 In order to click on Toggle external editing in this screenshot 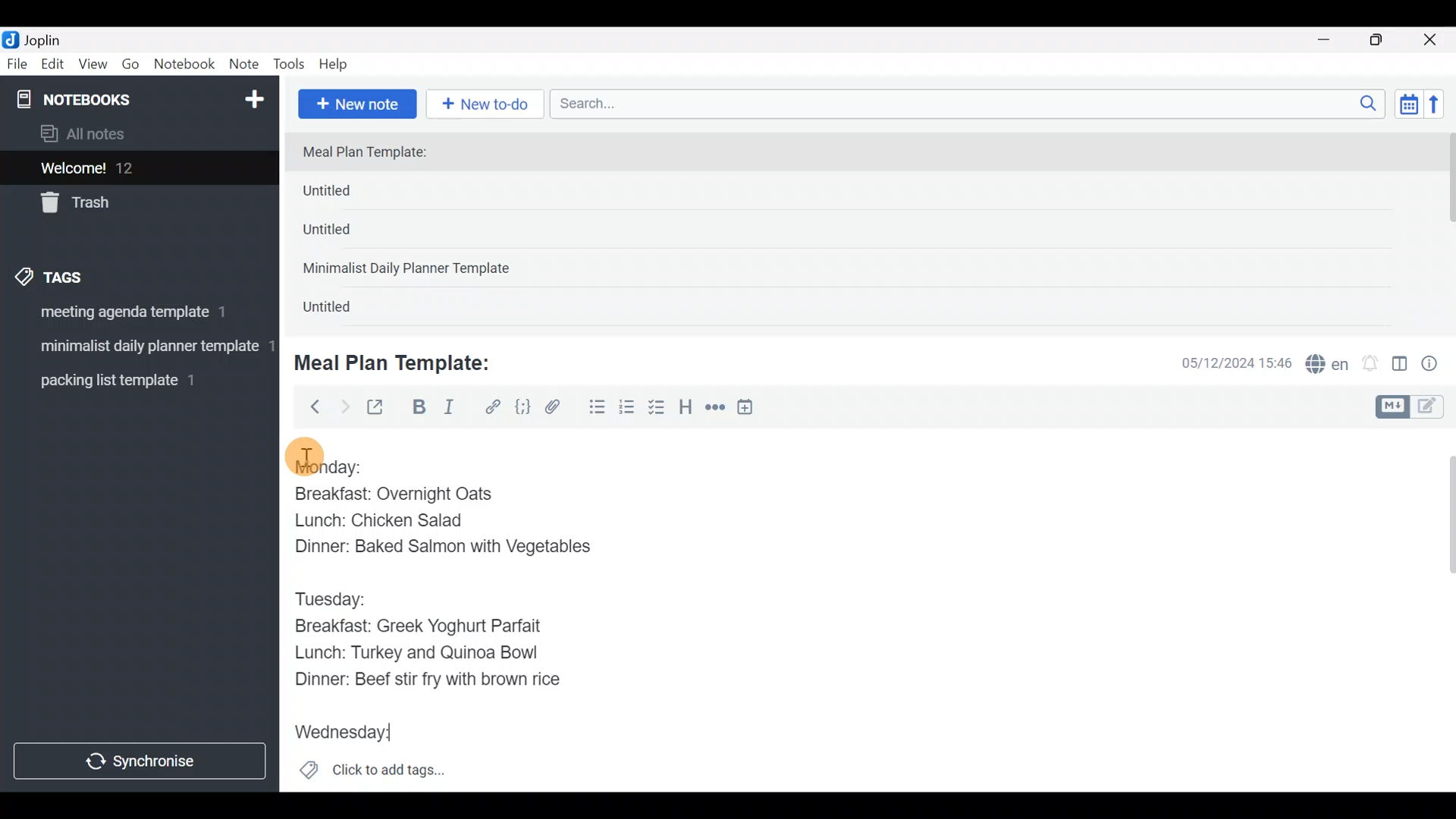, I will do `click(381, 408)`.